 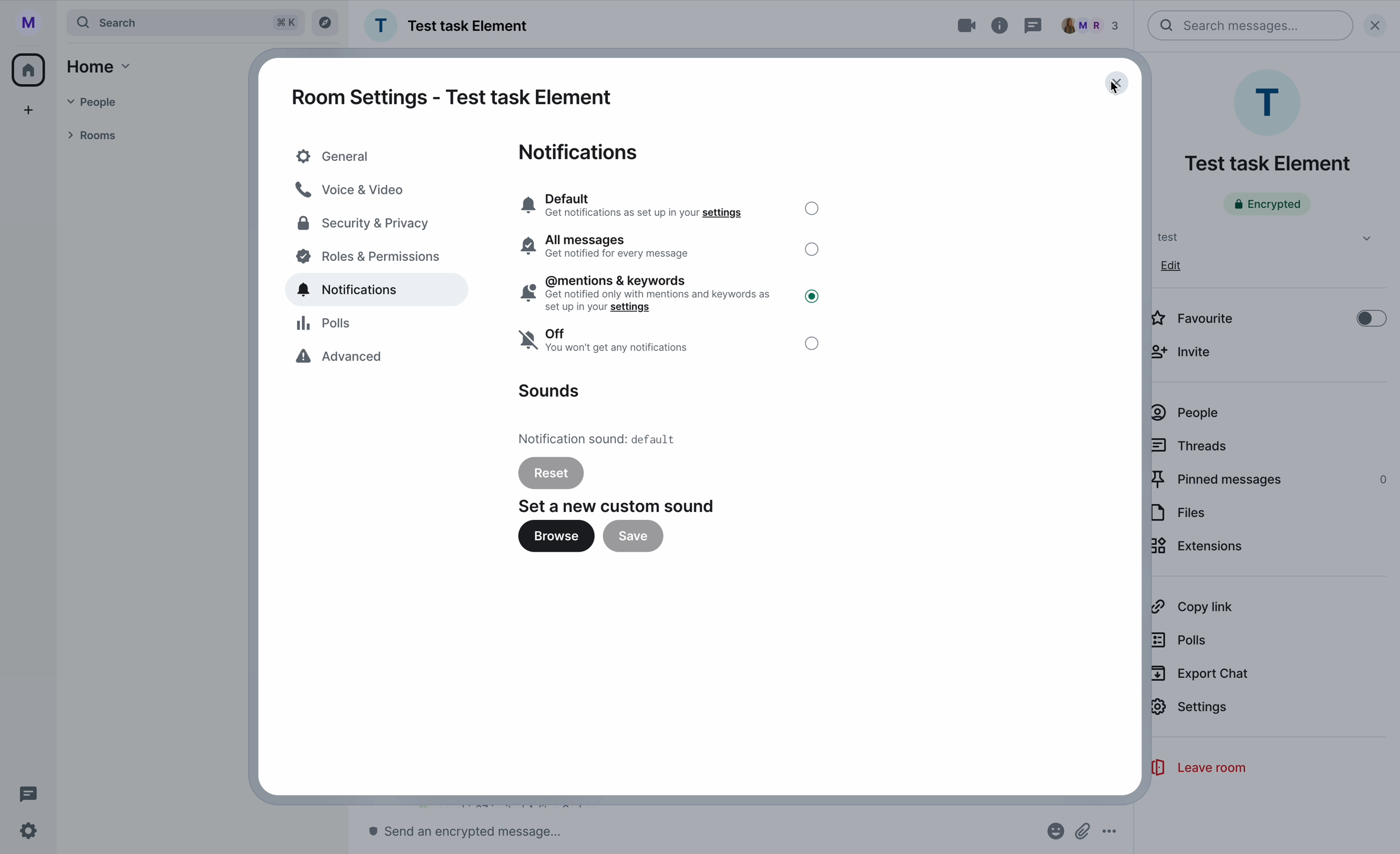 I want to click on more options, so click(x=1110, y=832).